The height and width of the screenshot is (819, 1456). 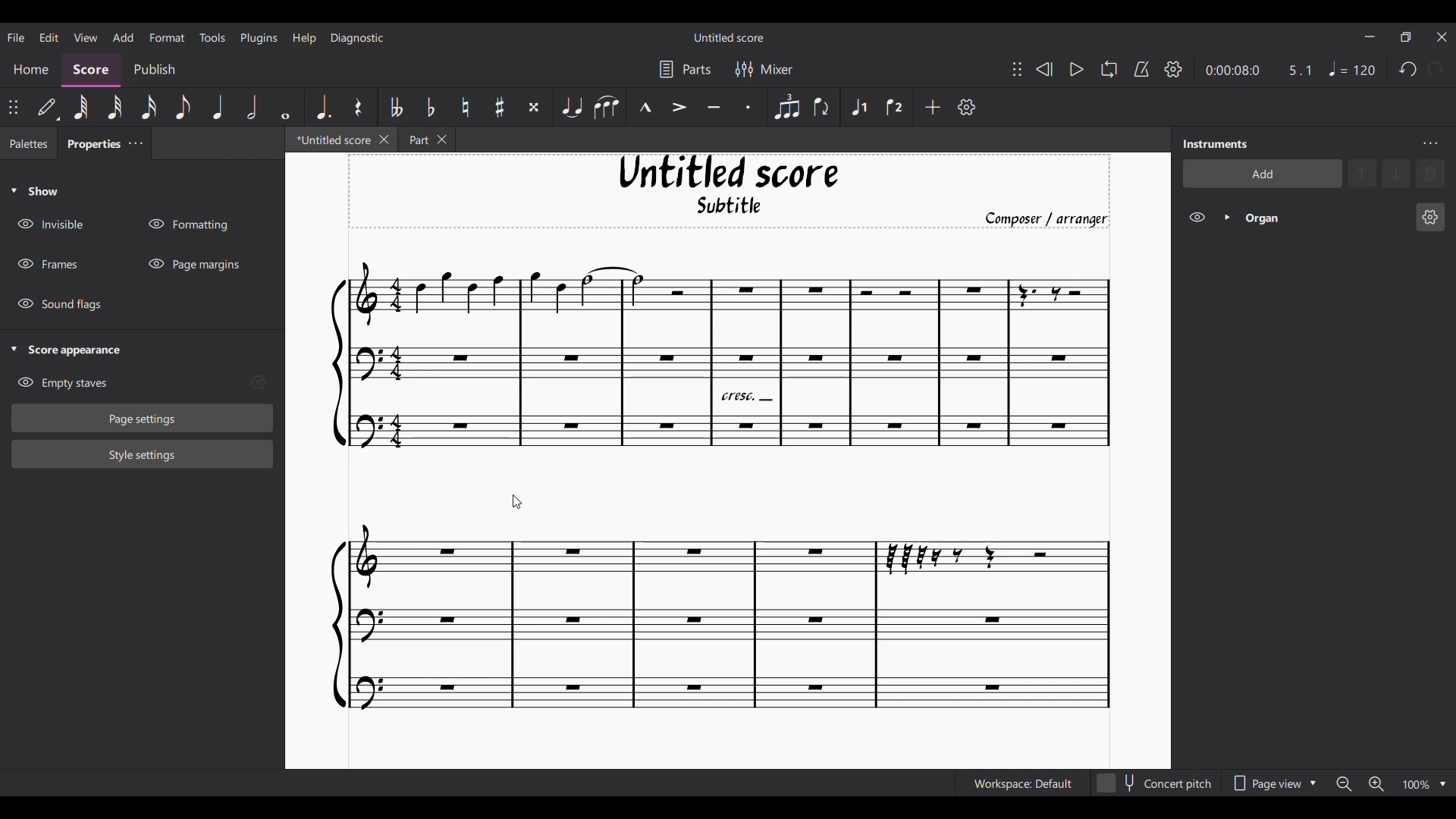 I want to click on Properties tab, current selection, so click(x=90, y=146).